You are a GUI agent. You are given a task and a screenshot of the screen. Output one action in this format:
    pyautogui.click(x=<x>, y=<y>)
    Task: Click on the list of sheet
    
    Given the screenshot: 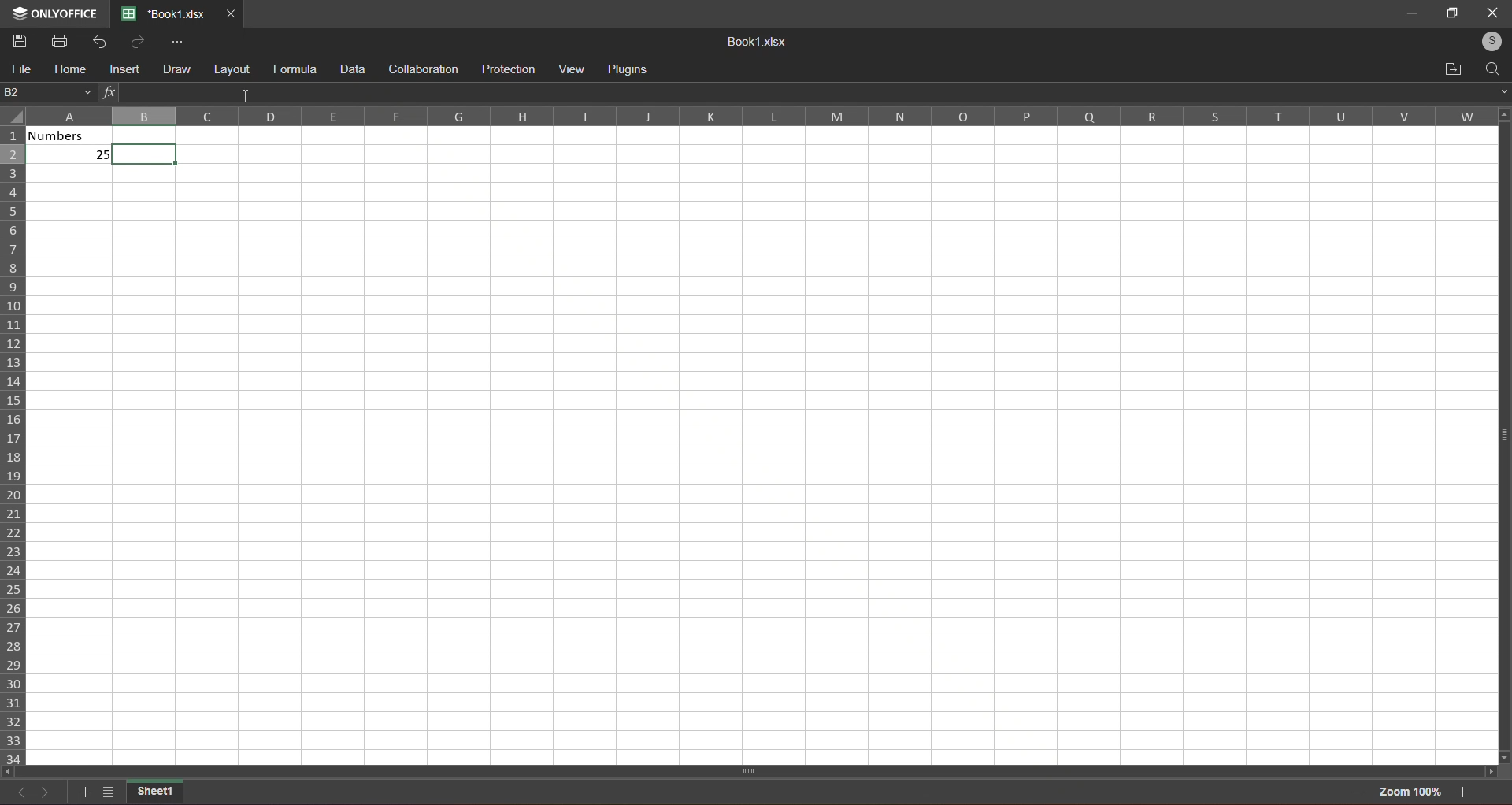 What is the action you would take?
    pyautogui.click(x=106, y=795)
    